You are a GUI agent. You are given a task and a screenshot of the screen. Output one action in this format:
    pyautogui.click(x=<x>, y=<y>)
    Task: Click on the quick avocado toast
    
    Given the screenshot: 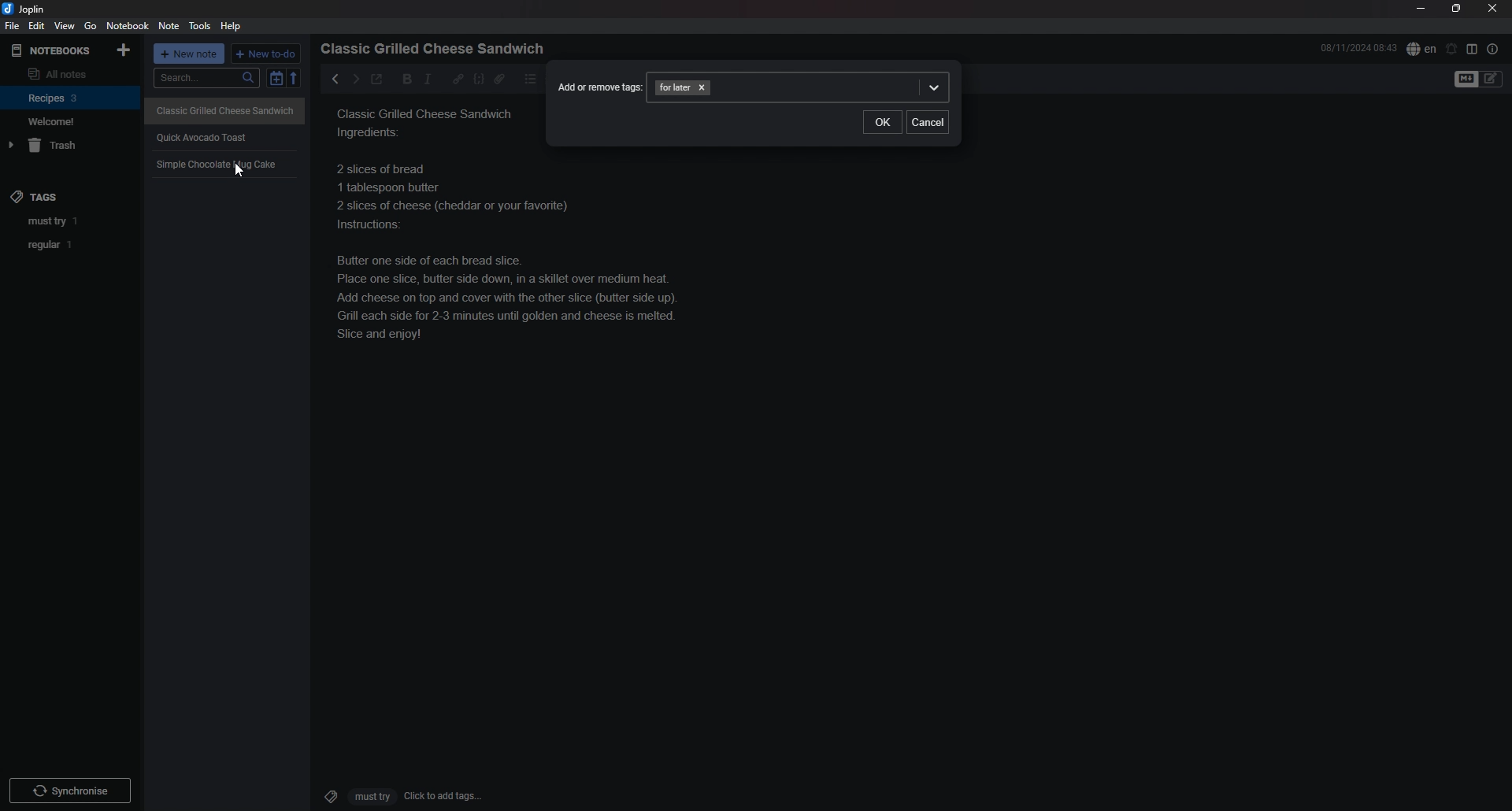 What is the action you would take?
    pyautogui.click(x=210, y=134)
    